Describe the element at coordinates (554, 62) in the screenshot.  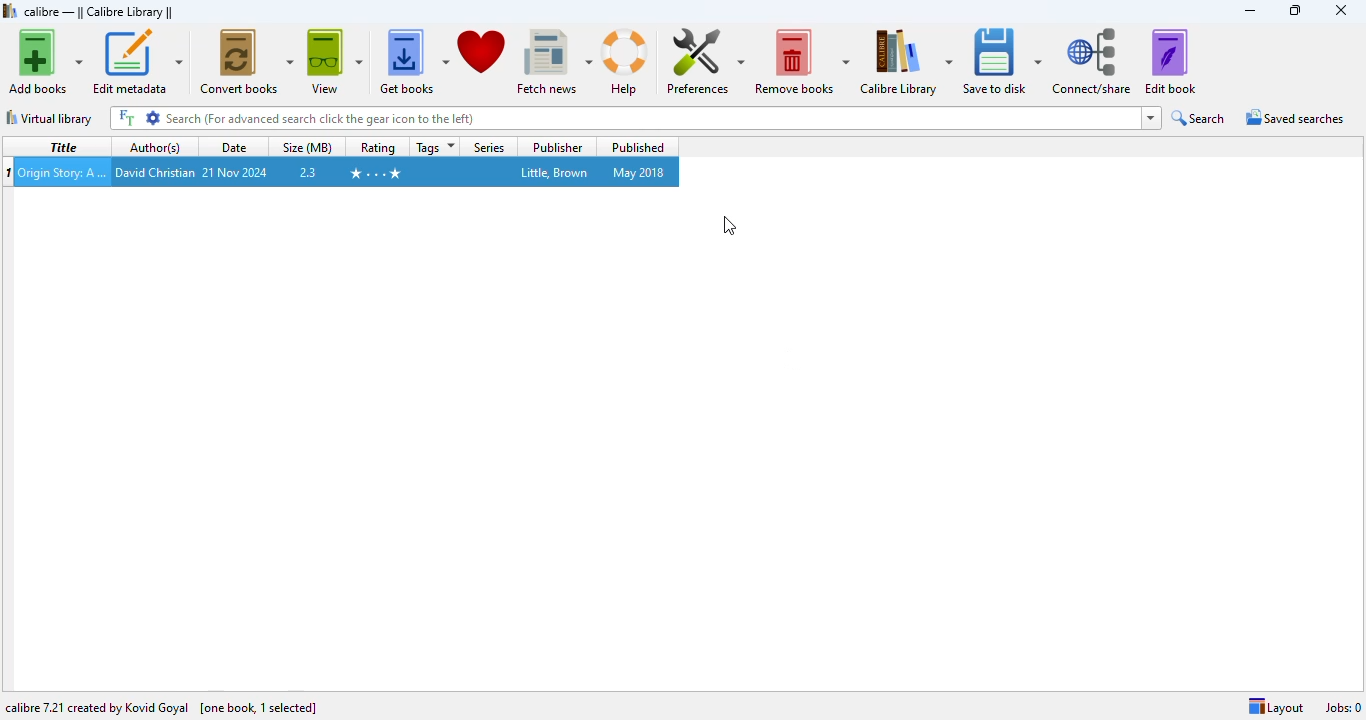
I see `fetch news` at that location.